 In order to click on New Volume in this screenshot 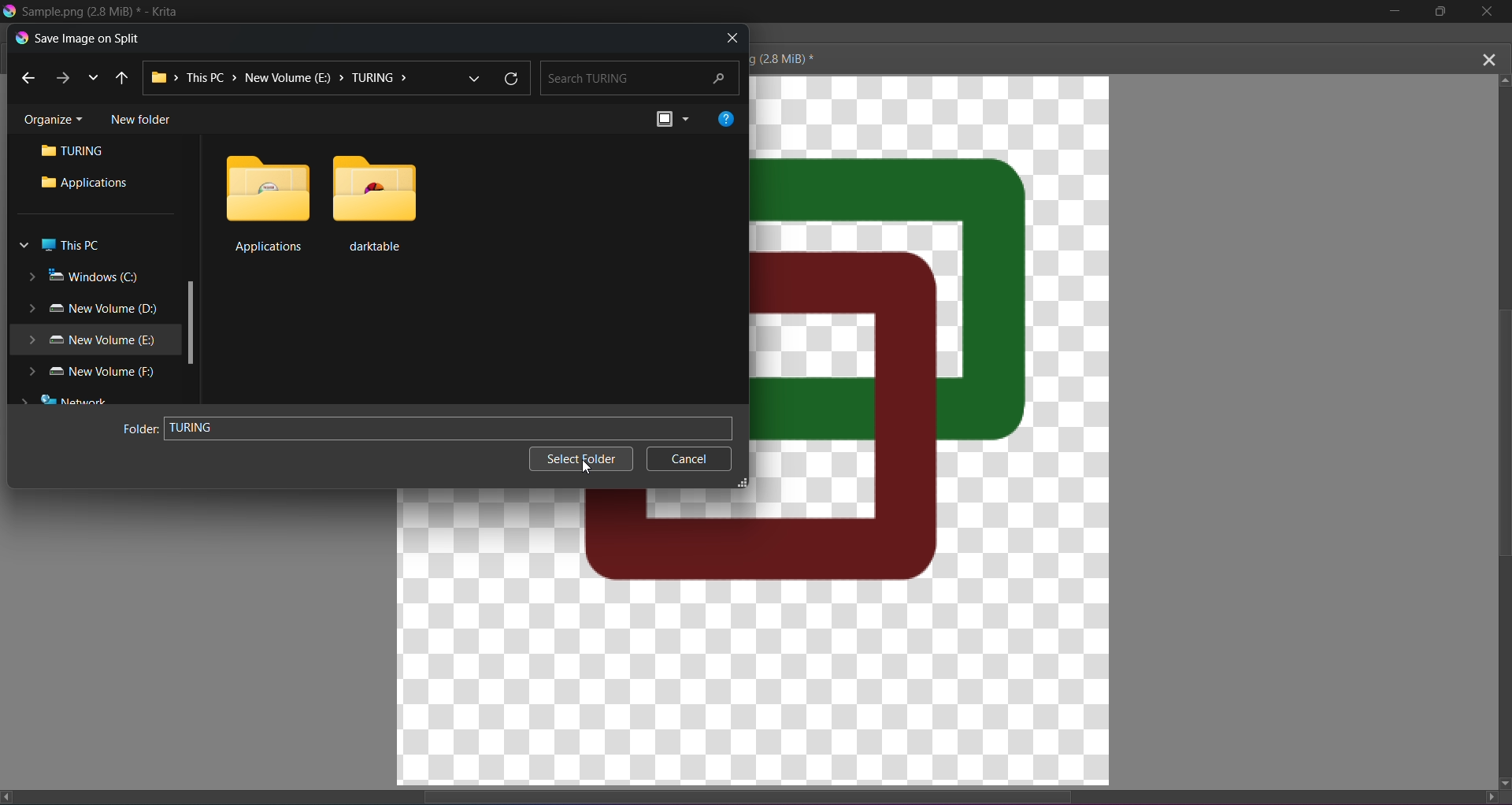, I will do `click(283, 79)`.